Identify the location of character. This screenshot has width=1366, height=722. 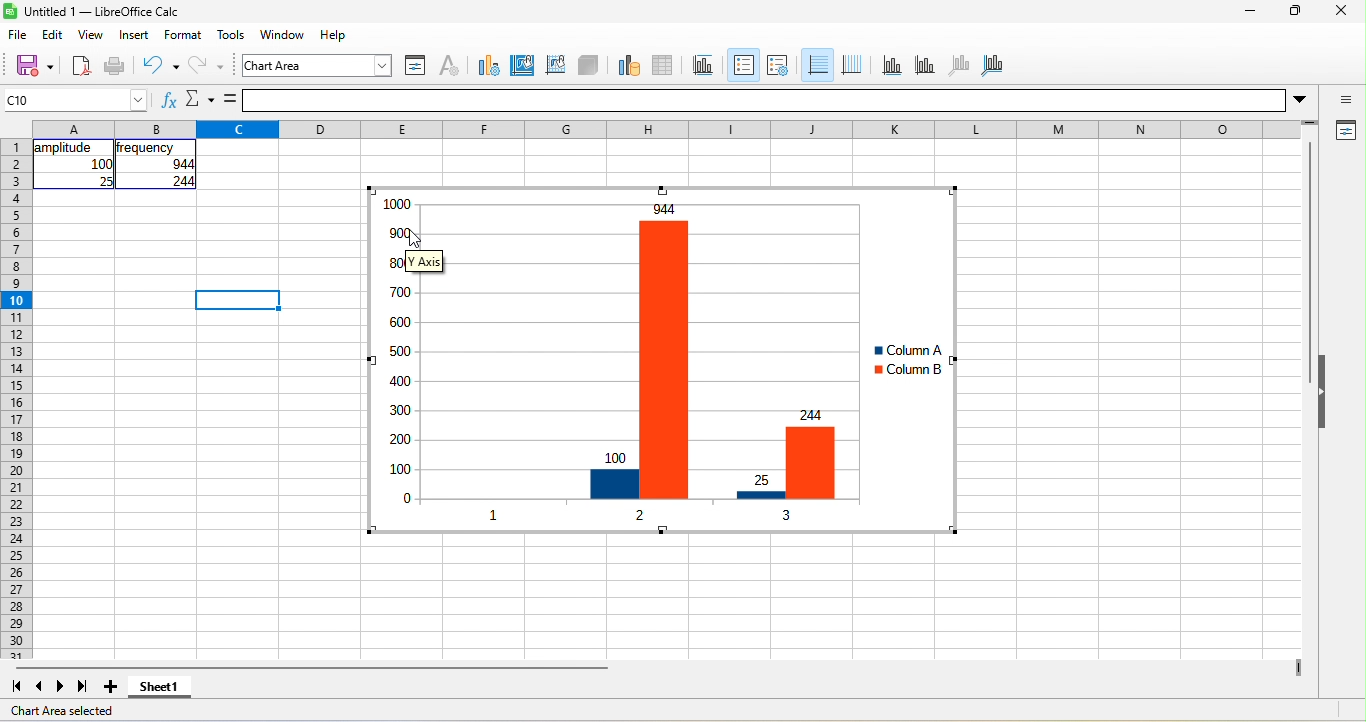
(448, 65).